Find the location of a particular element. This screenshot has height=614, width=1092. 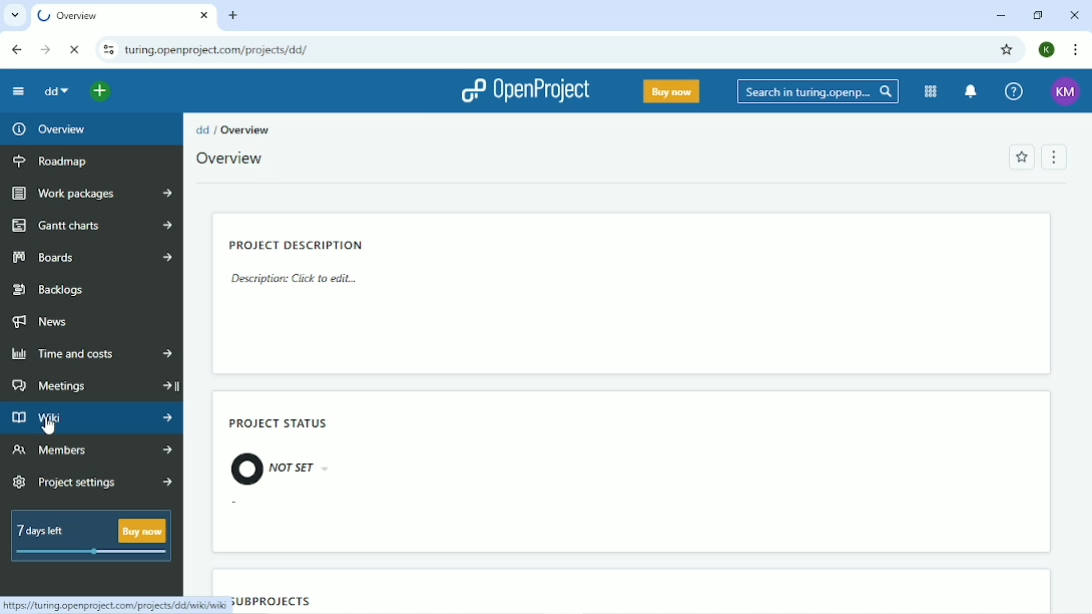

Open quick add menu is located at coordinates (101, 90).